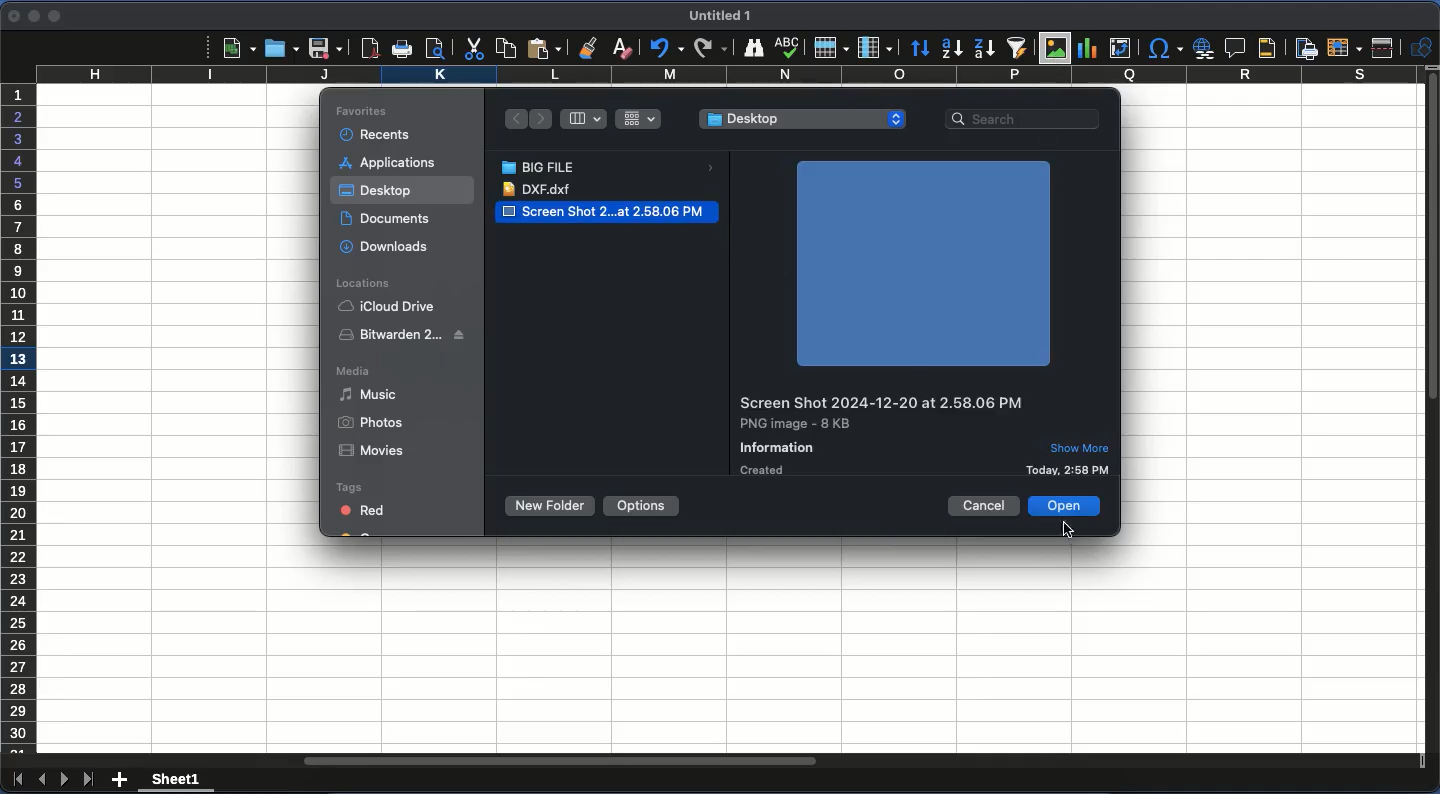 The width and height of the screenshot is (1440, 794). Describe the element at coordinates (638, 118) in the screenshot. I see `grid` at that location.